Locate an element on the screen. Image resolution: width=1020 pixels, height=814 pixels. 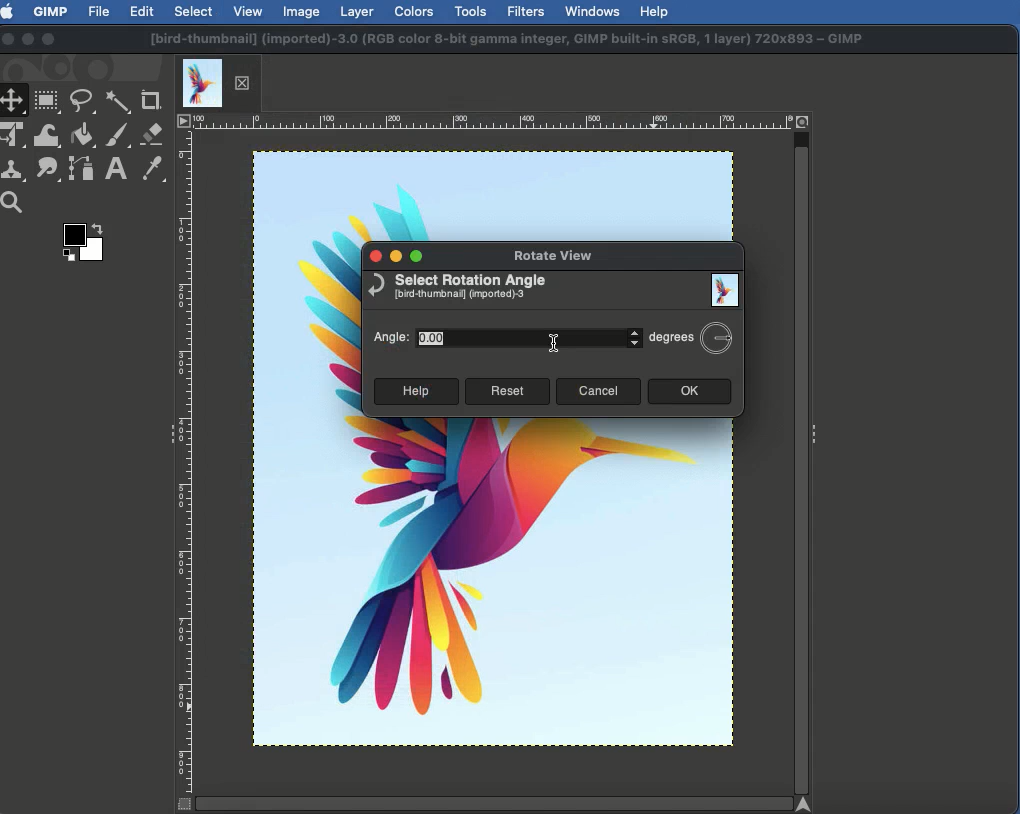
Rotate view is located at coordinates (561, 259).